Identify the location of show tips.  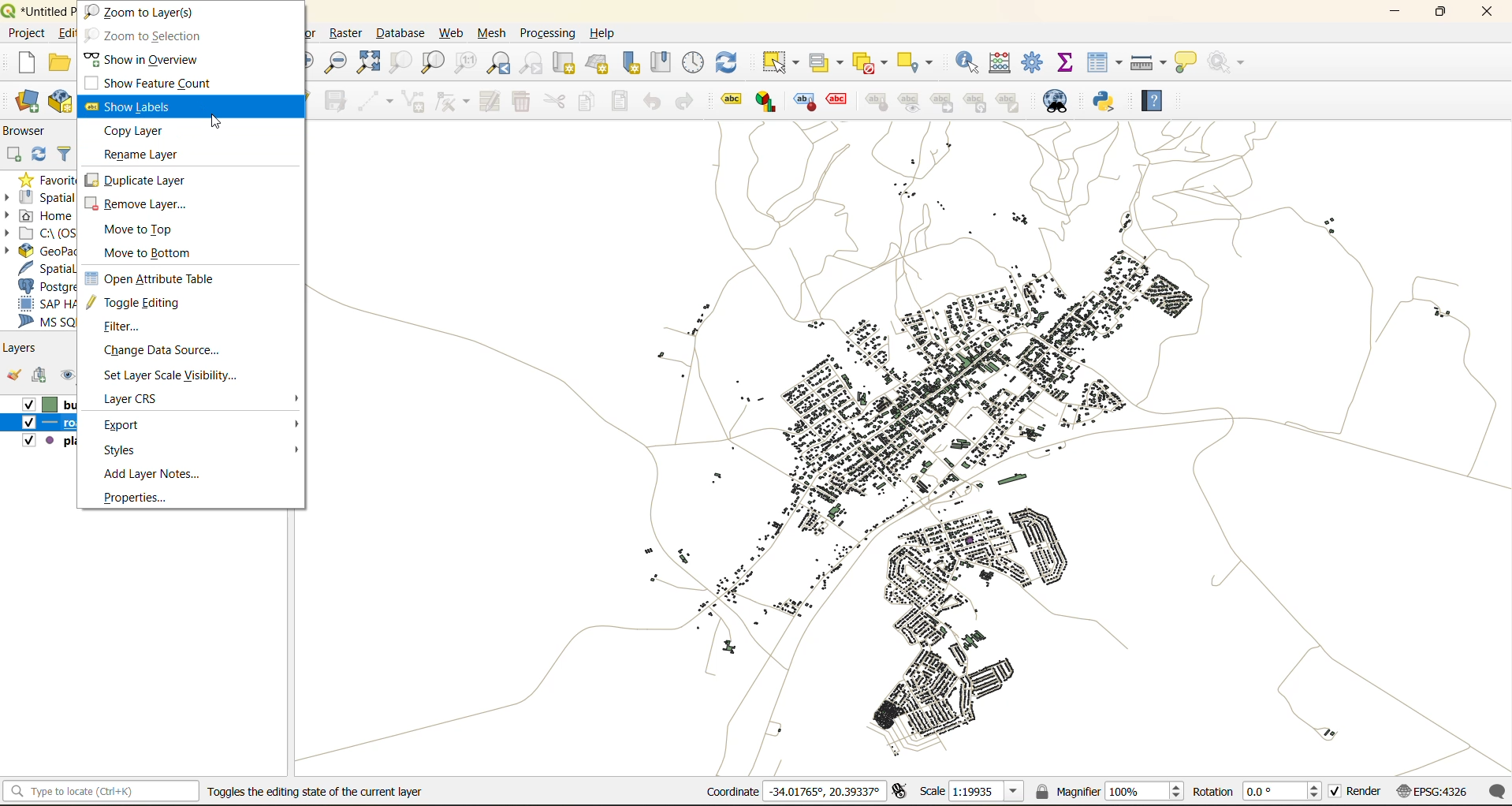
(1187, 62).